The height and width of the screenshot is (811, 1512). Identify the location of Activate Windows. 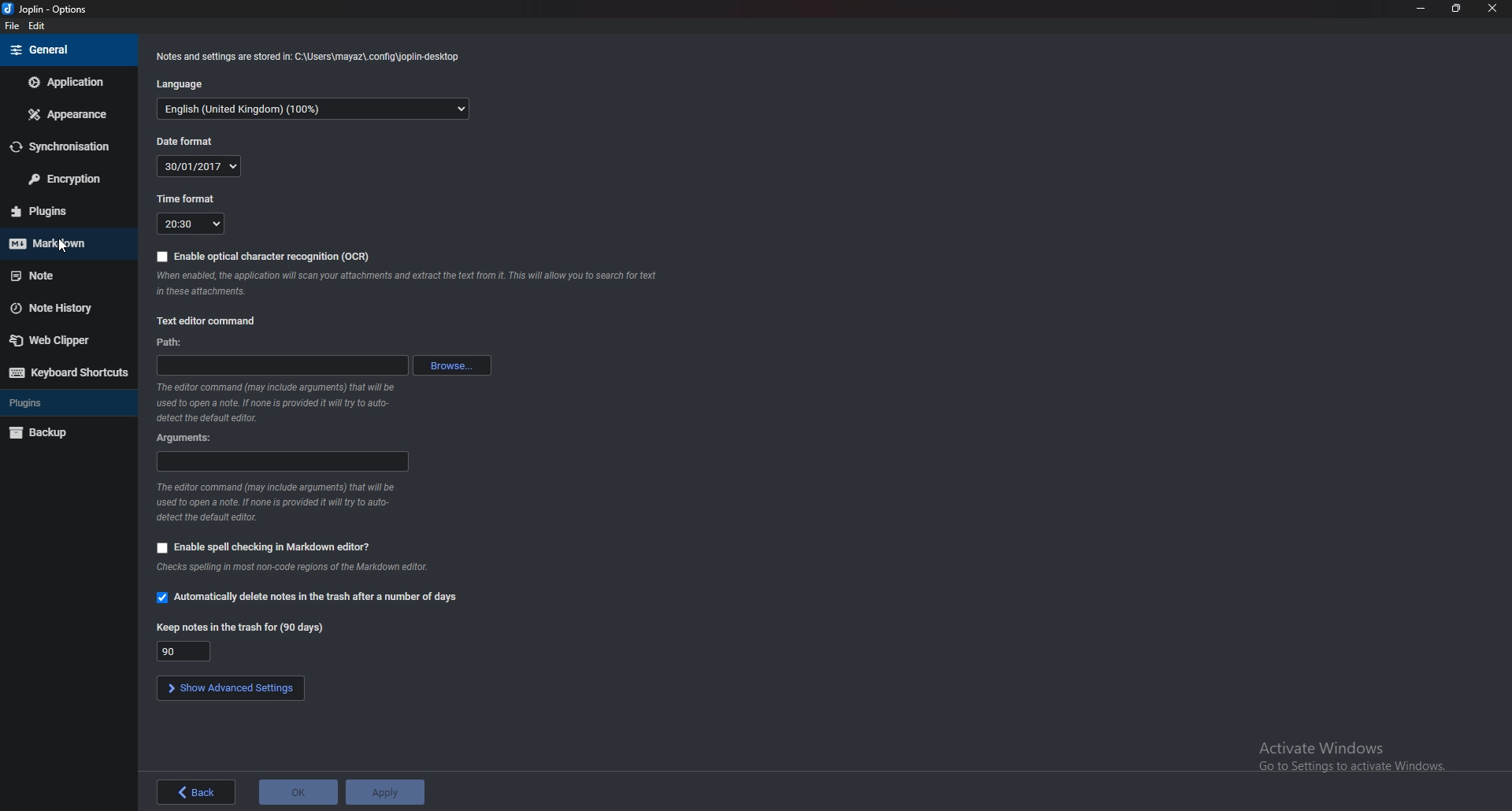
(1354, 757).